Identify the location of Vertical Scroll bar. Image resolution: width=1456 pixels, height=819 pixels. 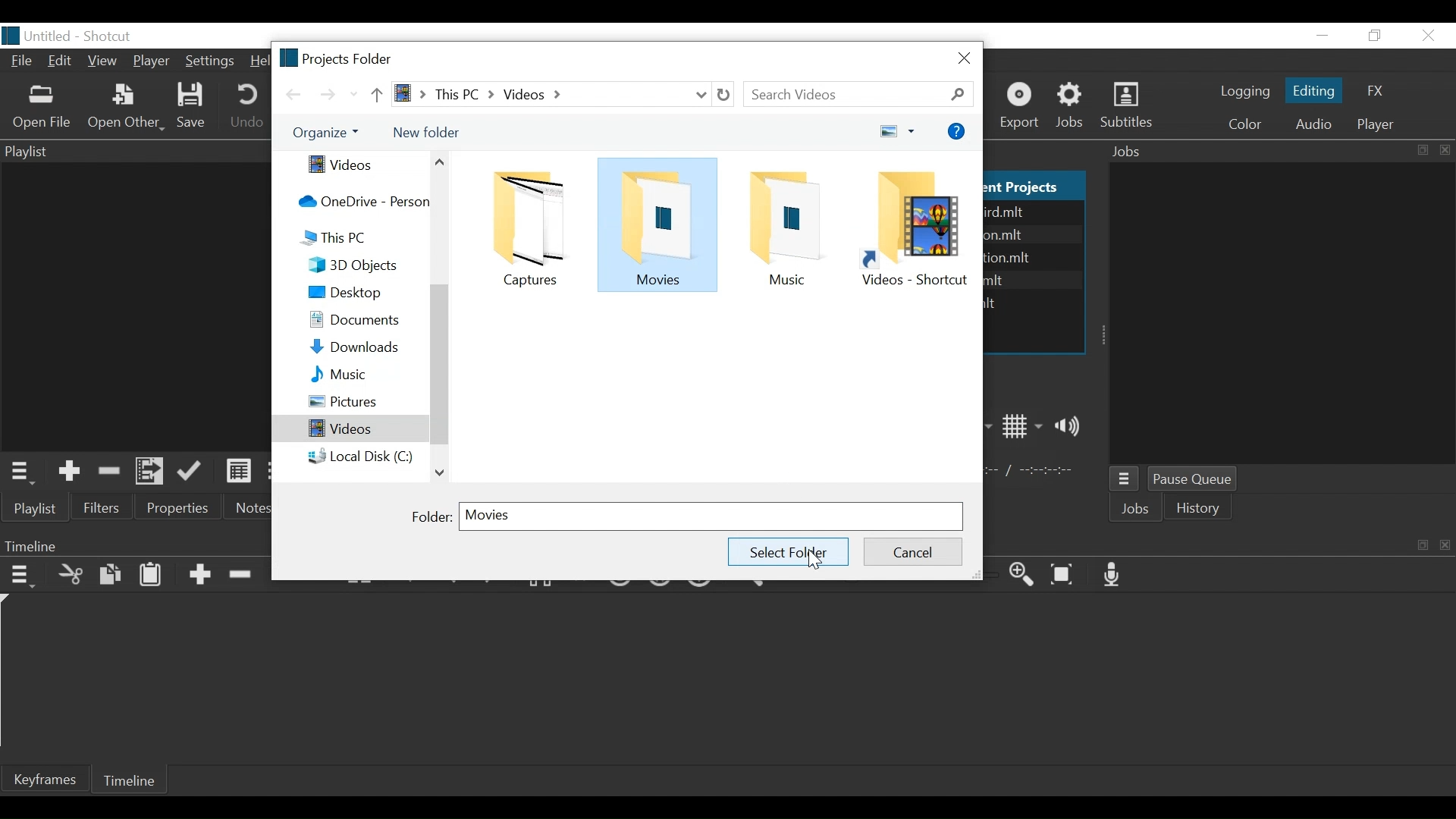
(440, 367).